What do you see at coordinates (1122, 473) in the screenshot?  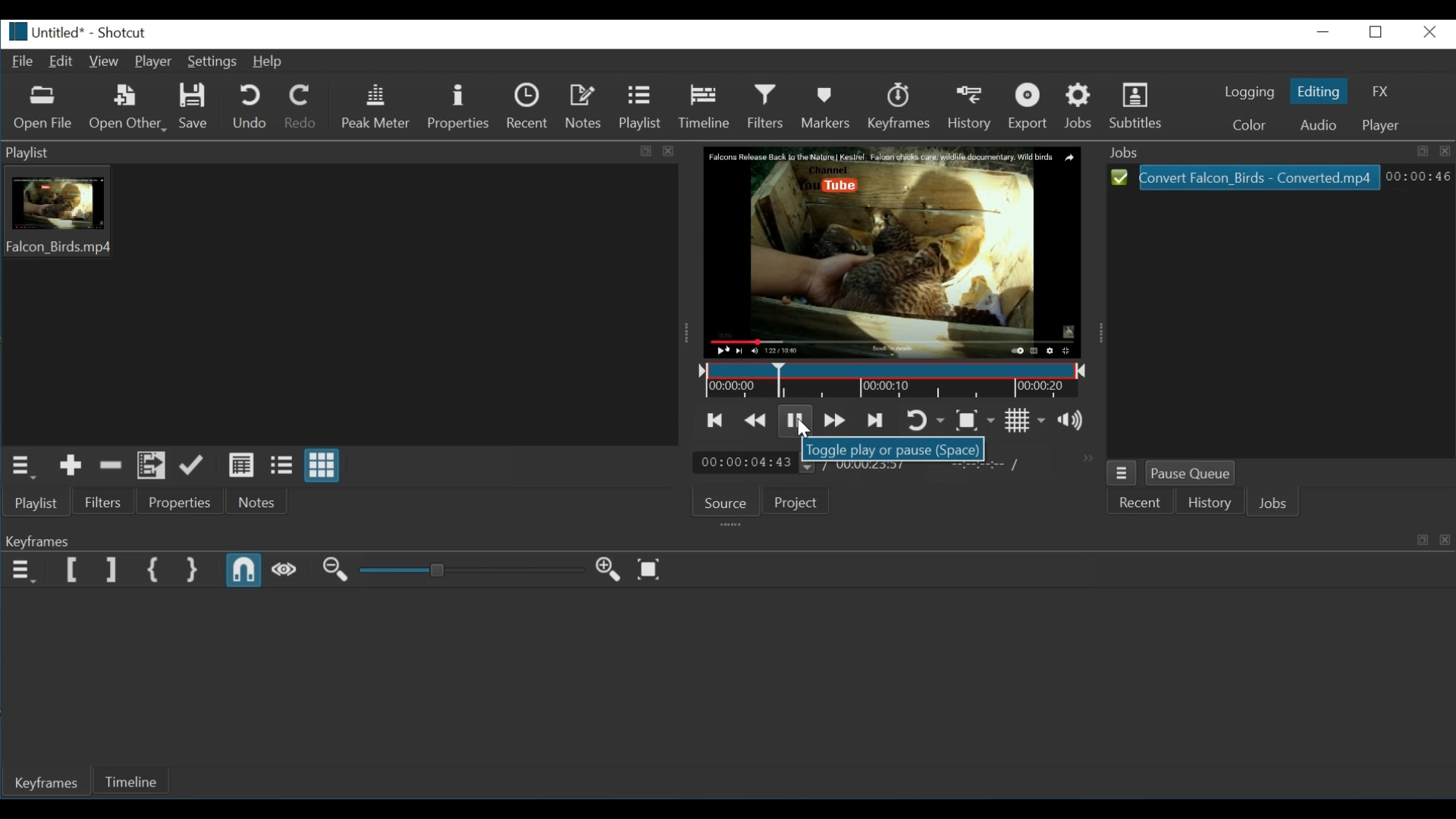 I see `Jobs menu` at bounding box center [1122, 473].